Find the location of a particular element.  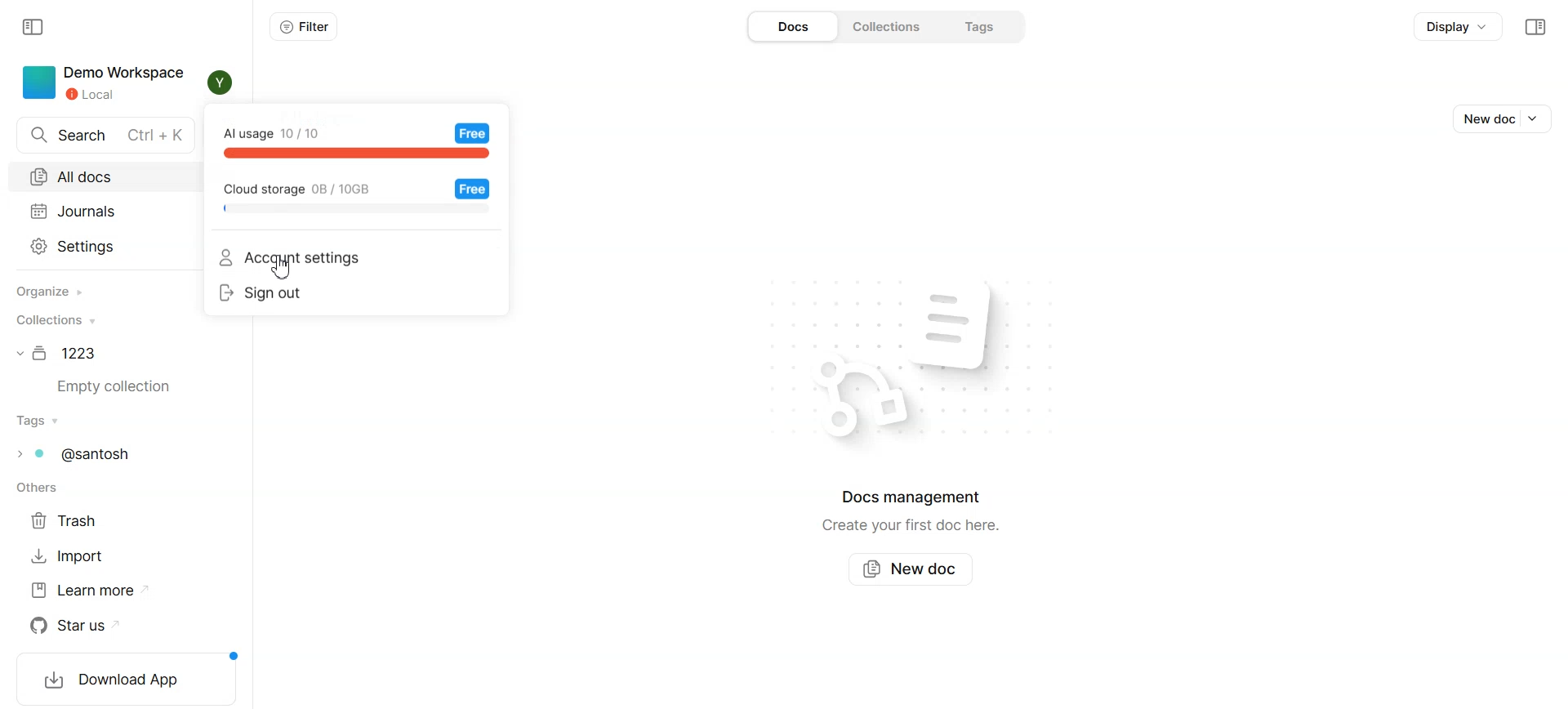

Document is located at coordinates (61, 353).